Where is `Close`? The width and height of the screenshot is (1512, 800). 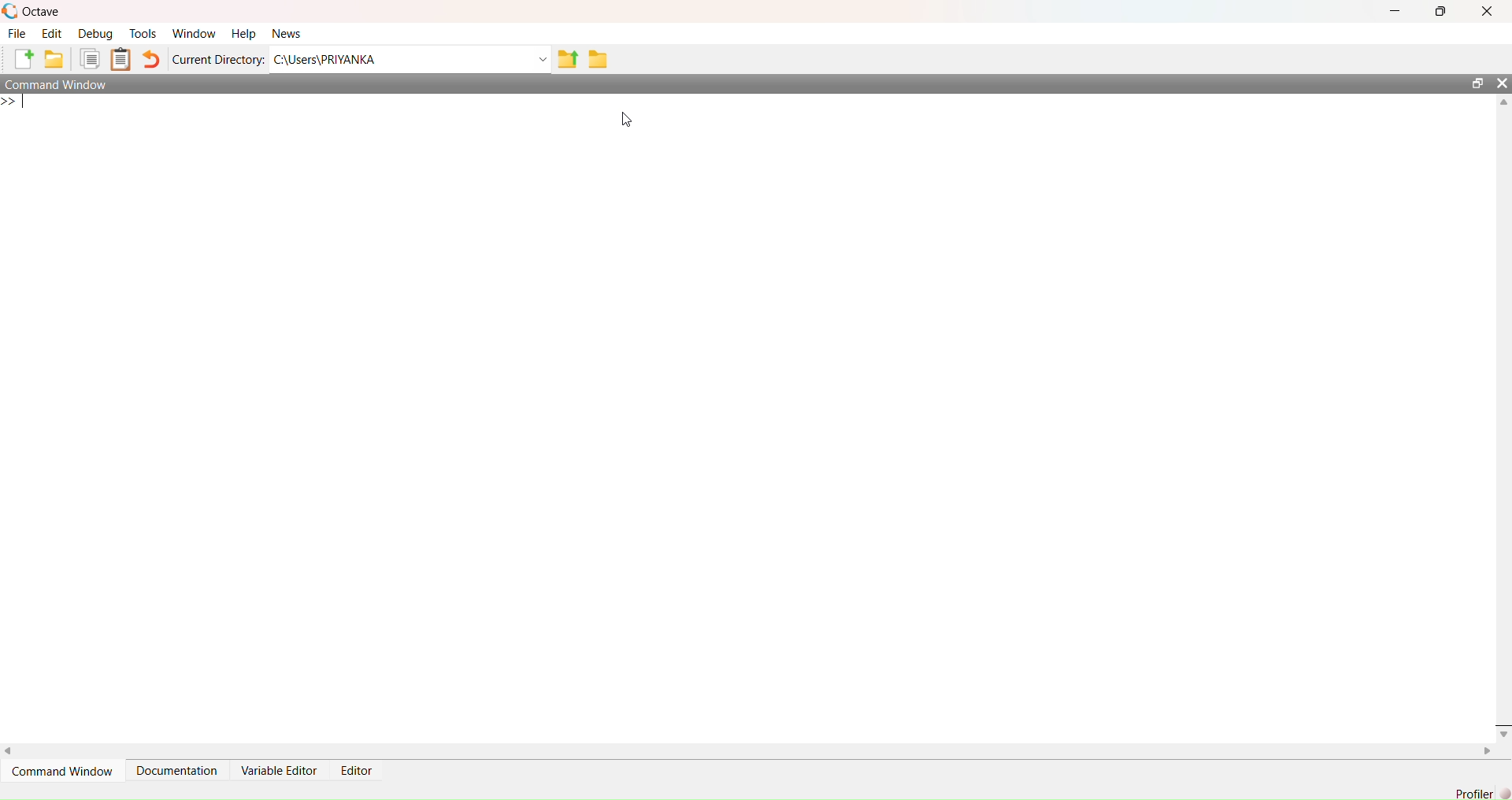 Close is located at coordinates (1503, 728).